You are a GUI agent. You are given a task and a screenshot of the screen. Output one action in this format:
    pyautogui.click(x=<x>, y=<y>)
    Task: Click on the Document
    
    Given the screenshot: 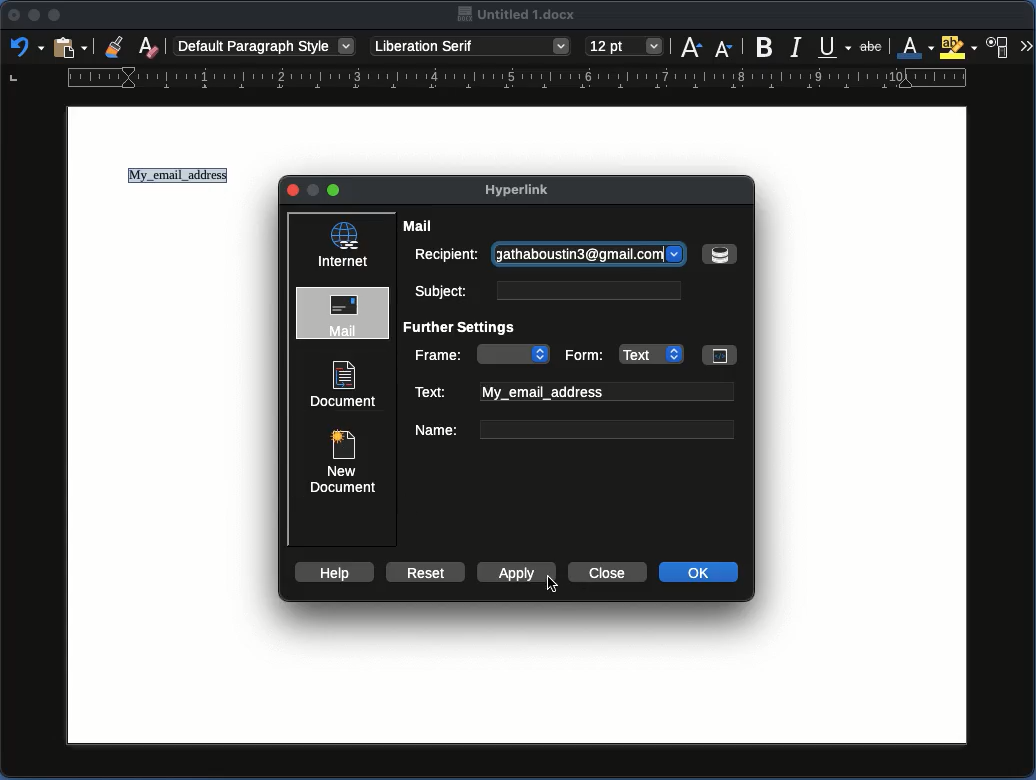 What is the action you would take?
    pyautogui.click(x=344, y=384)
    